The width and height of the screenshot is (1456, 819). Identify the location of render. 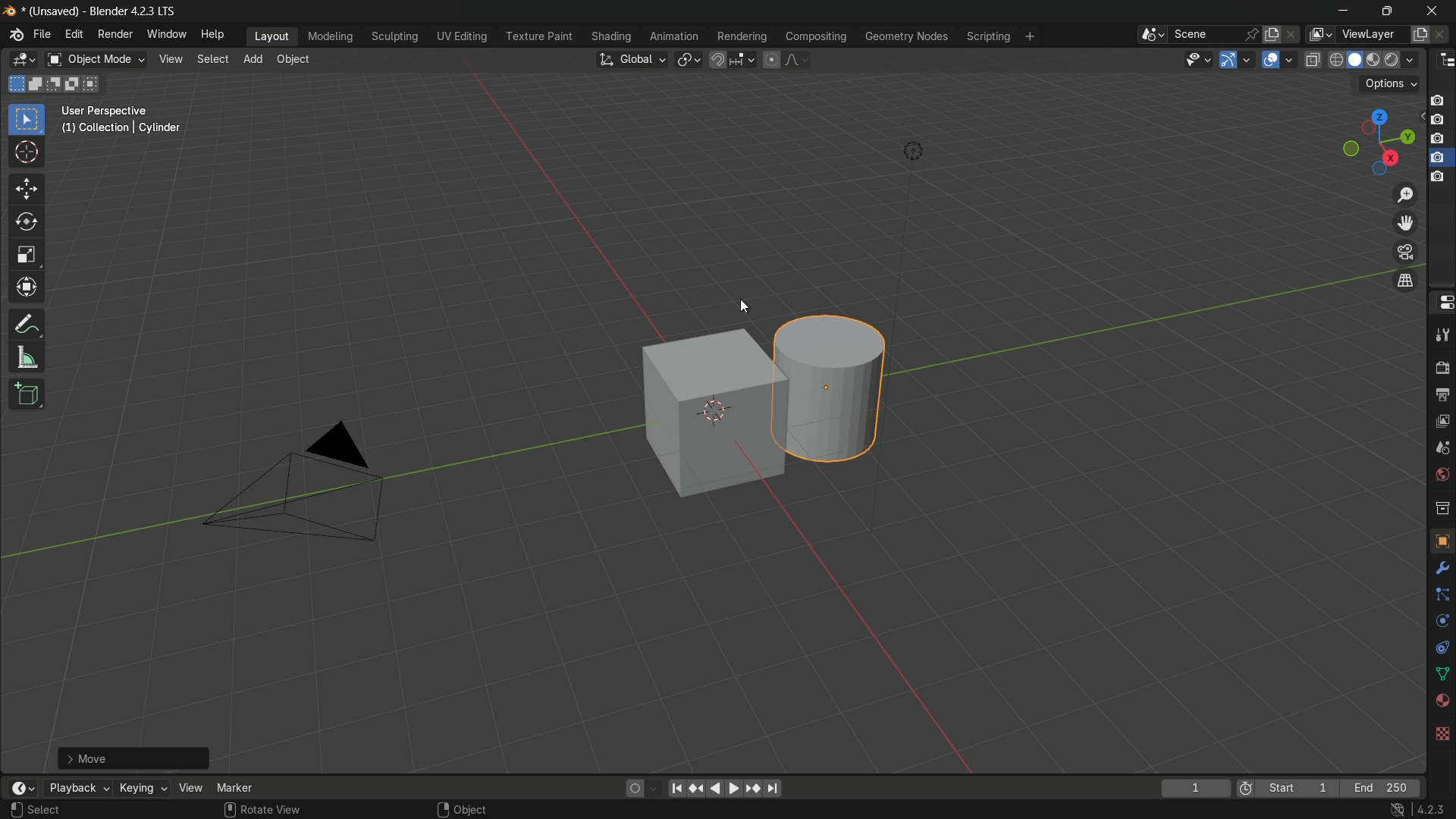
(1403, 59).